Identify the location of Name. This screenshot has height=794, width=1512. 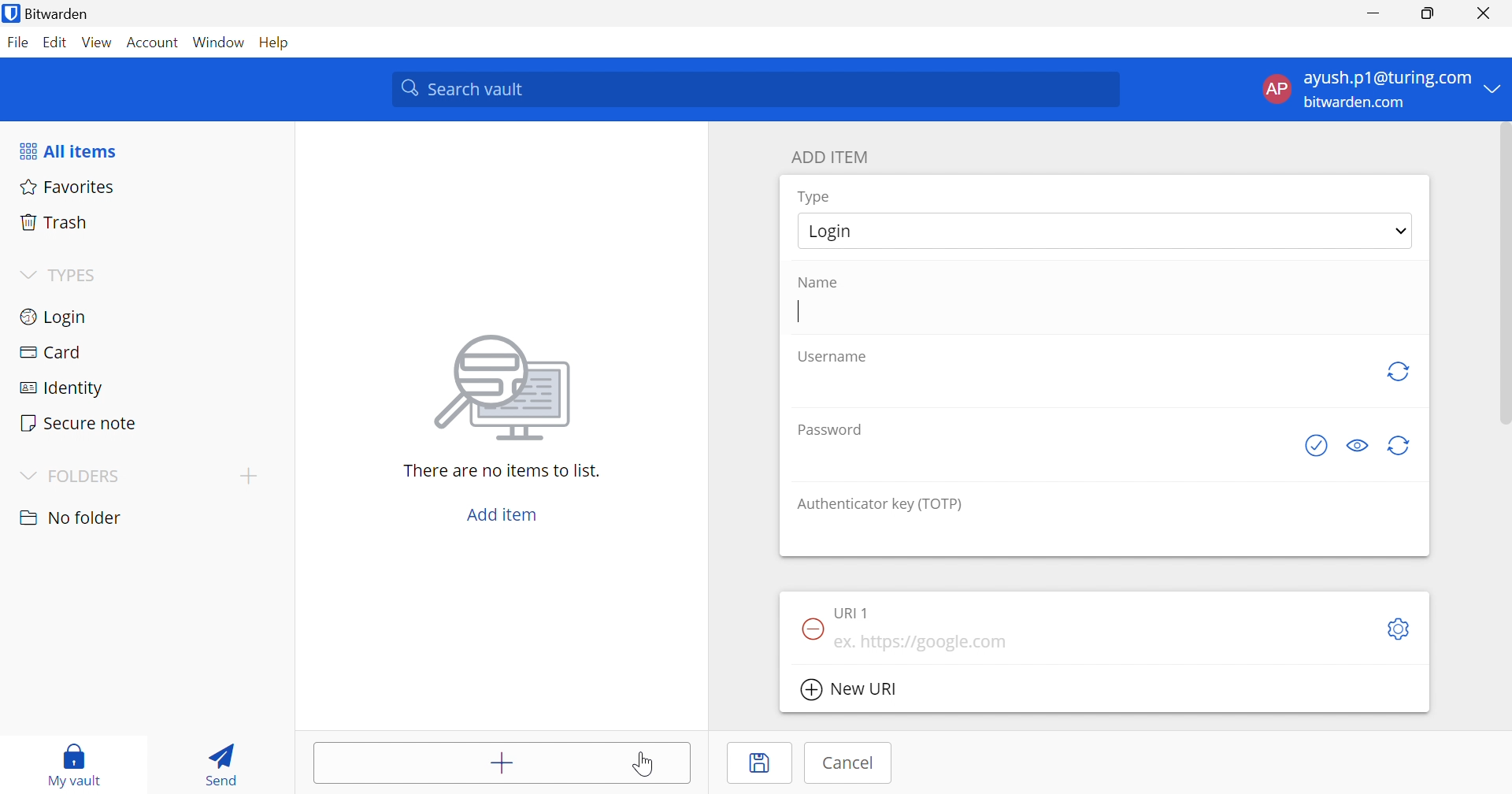
(818, 283).